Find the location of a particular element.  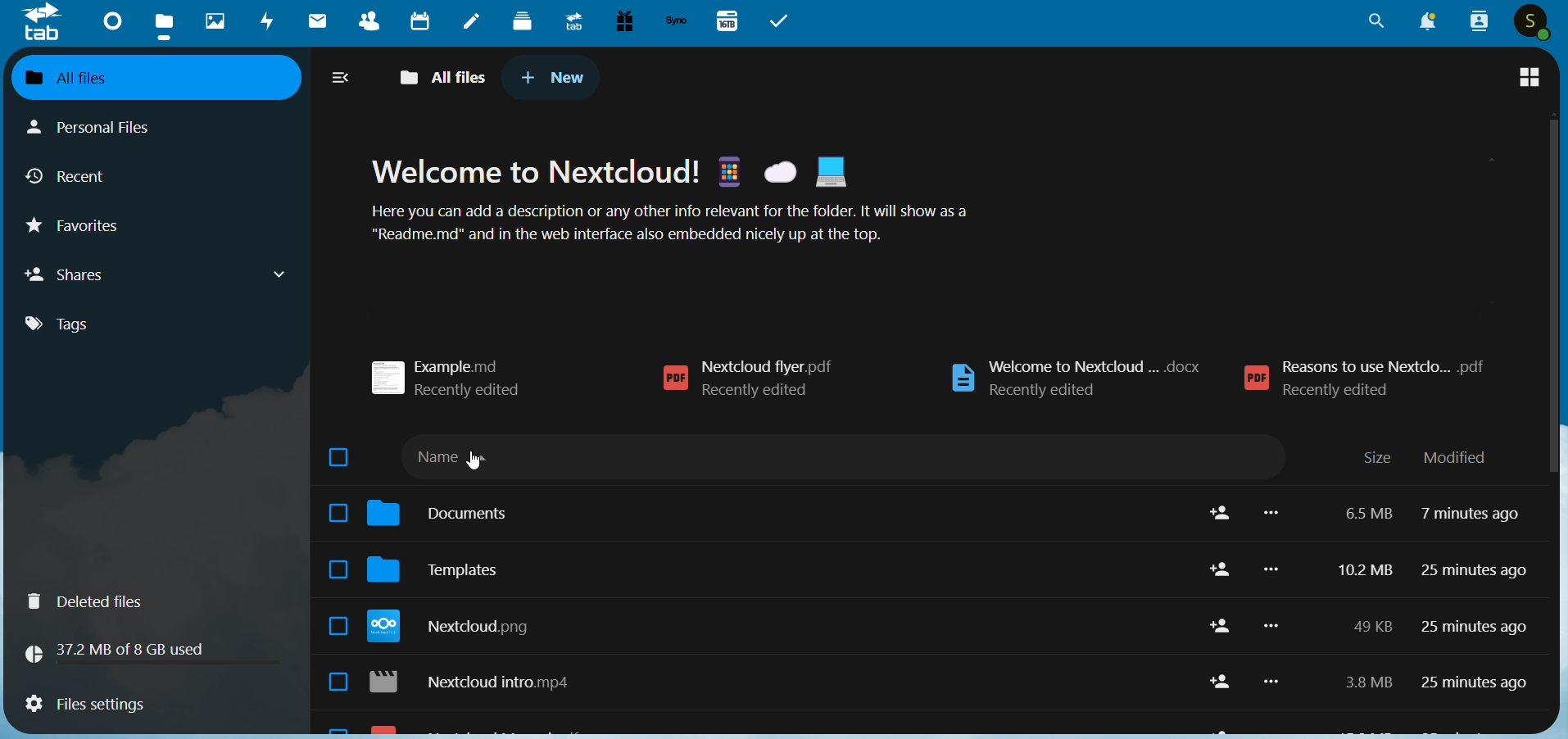

nextcloud flyer.pdf Recently edited is located at coordinates (795, 382).